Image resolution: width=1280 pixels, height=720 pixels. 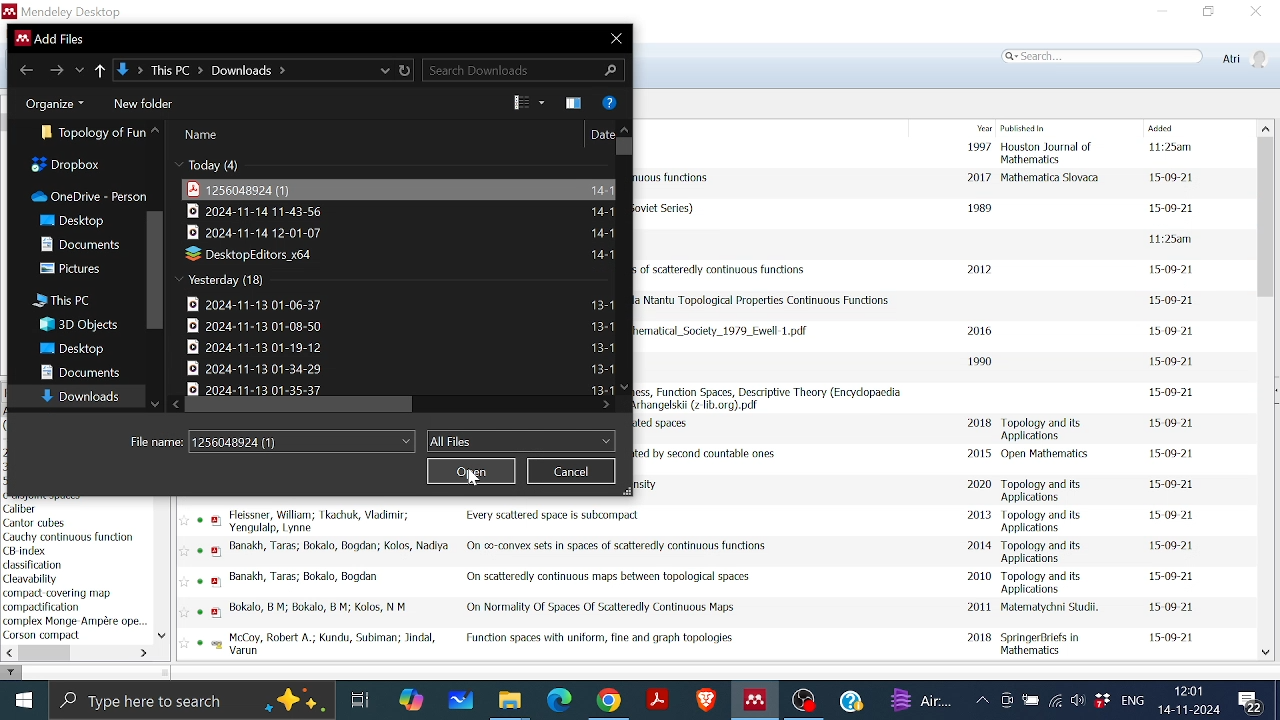 What do you see at coordinates (1167, 636) in the screenshot?
I see `date` at bounding box center [1167, 636].